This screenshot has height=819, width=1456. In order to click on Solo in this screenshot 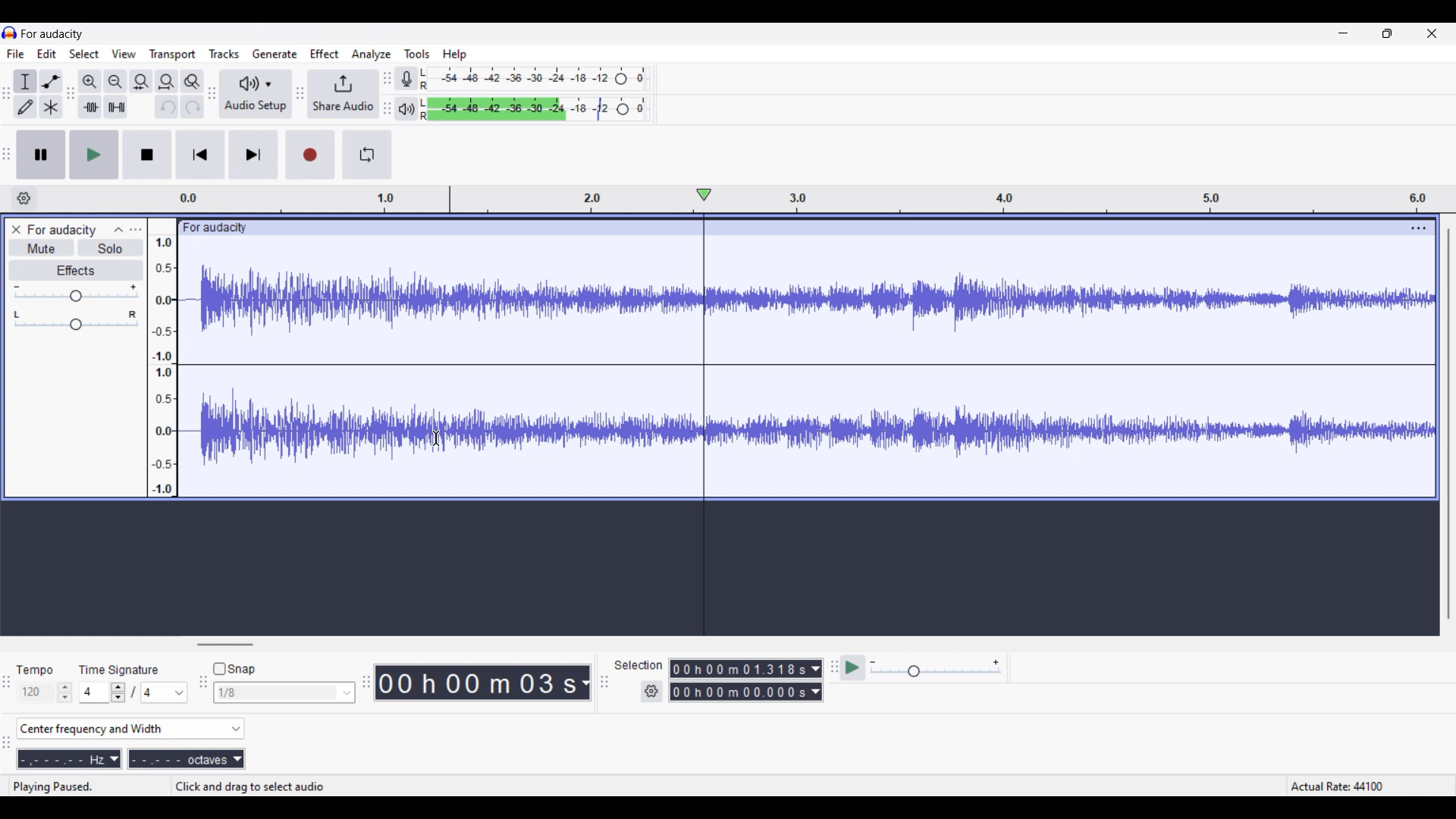, I will do `click(111, 248)`.